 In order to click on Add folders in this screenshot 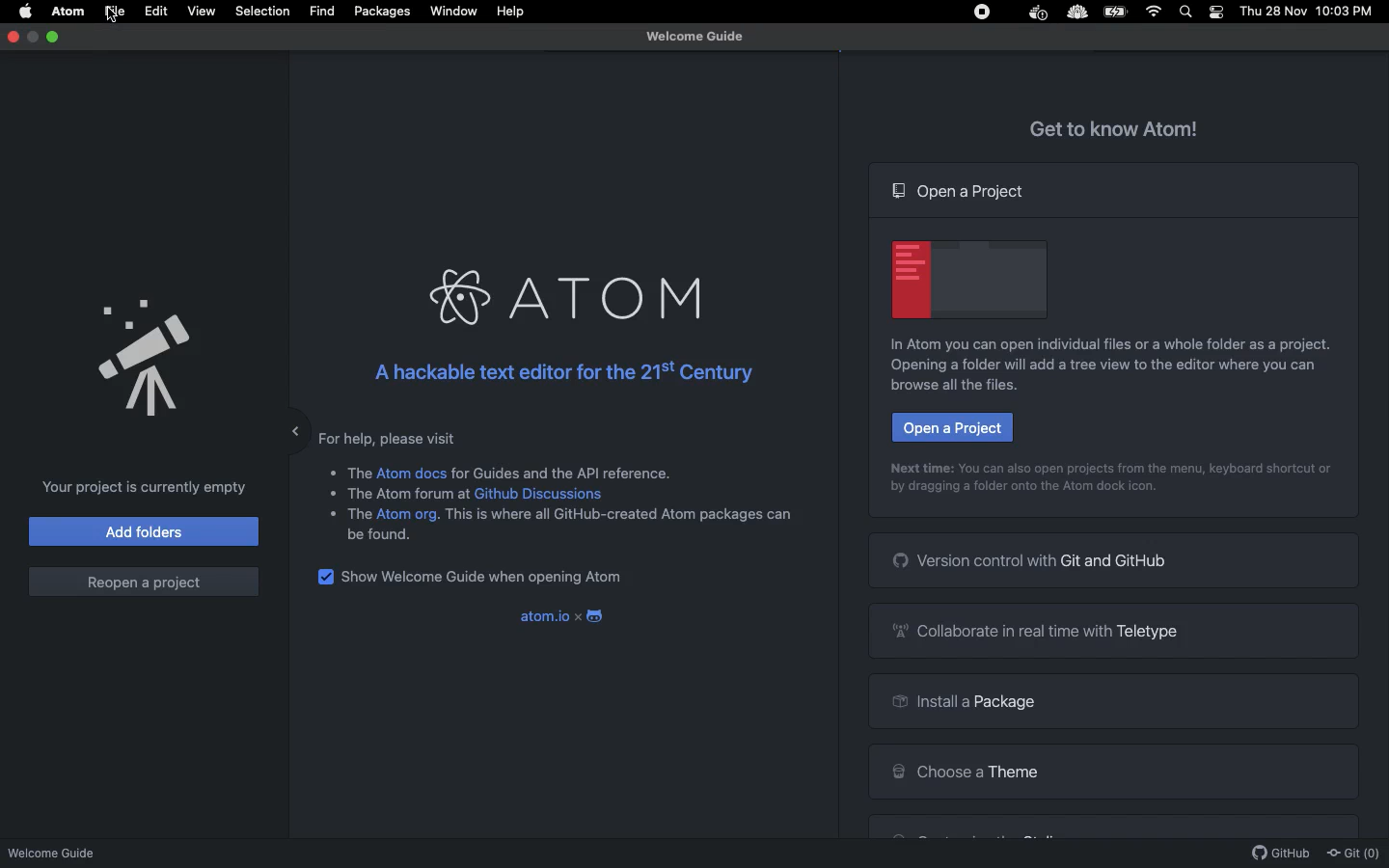, I will do `click(145, 530)`.